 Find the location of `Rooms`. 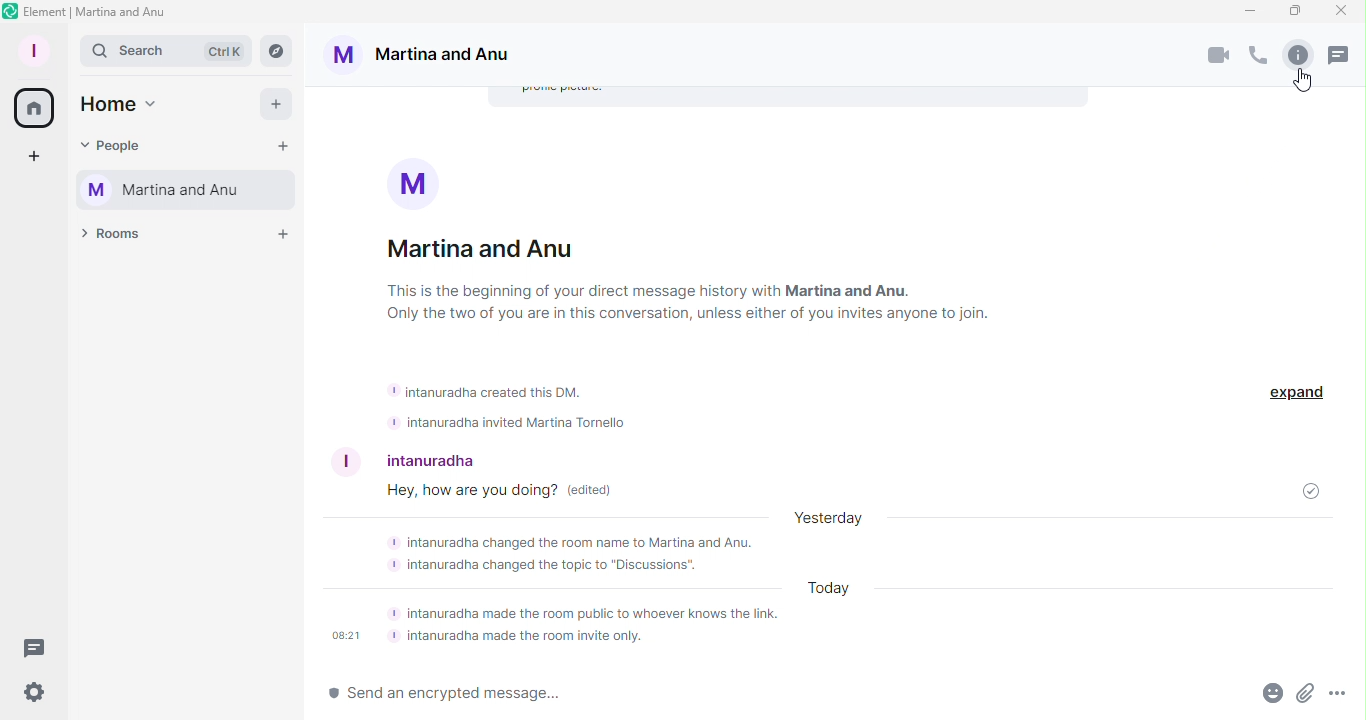

Rooms is located at coordinates (118, 238).